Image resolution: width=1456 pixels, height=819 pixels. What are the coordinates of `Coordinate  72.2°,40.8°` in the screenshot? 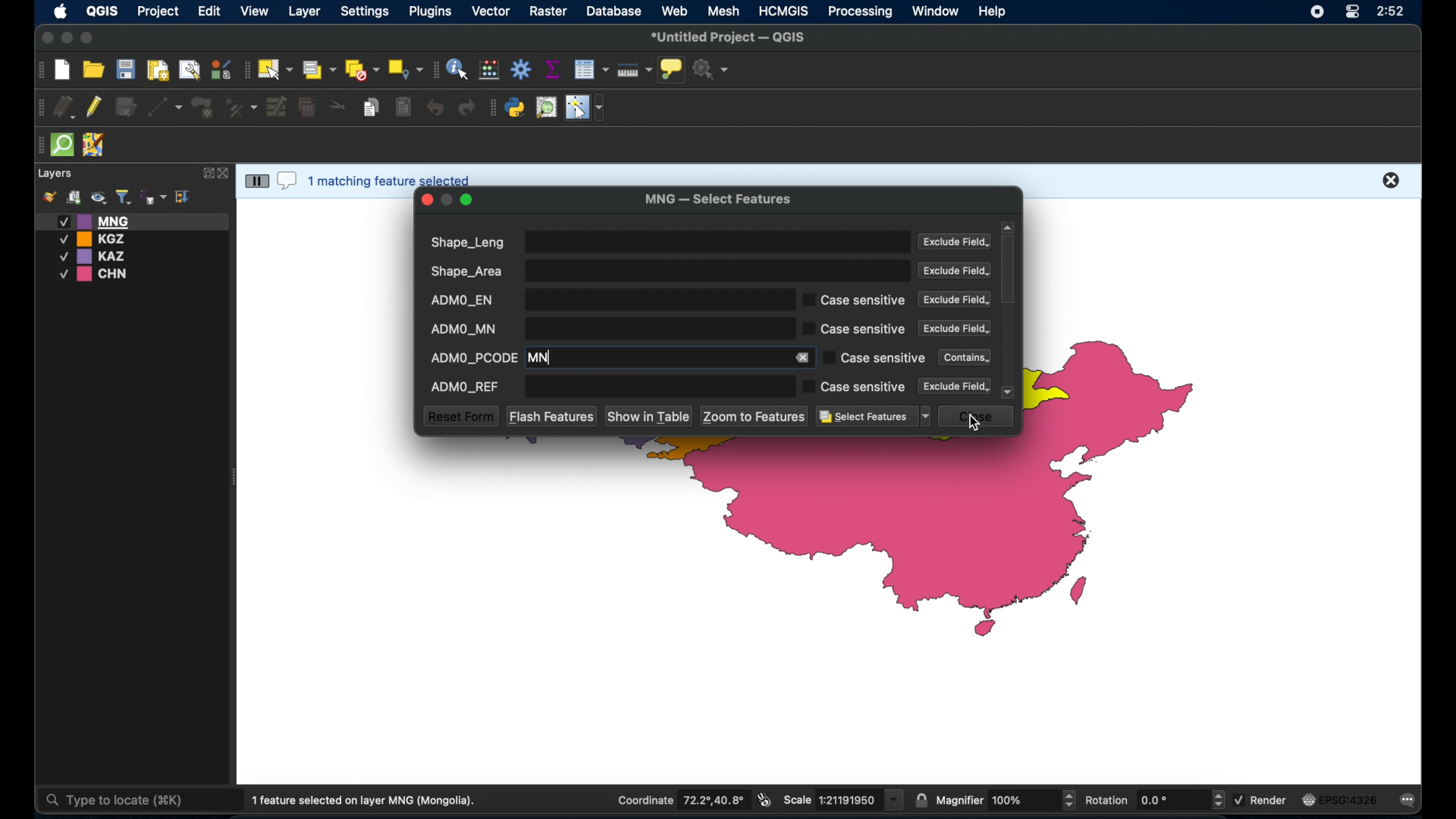 It's located at (679, 799).